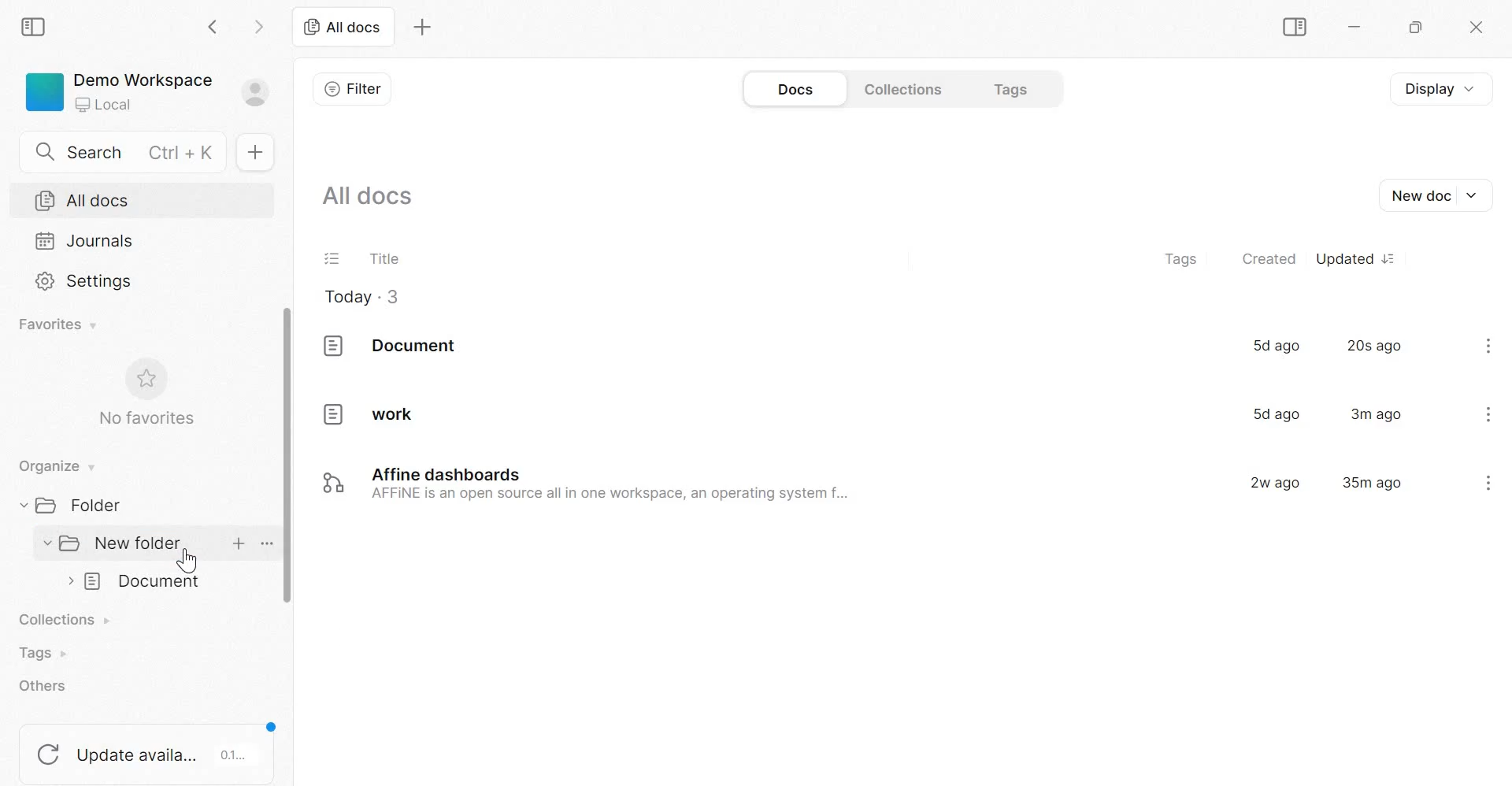  Describe the element at coordinates (1372, 484) in the screenshot. I see `35m ago` at that location.